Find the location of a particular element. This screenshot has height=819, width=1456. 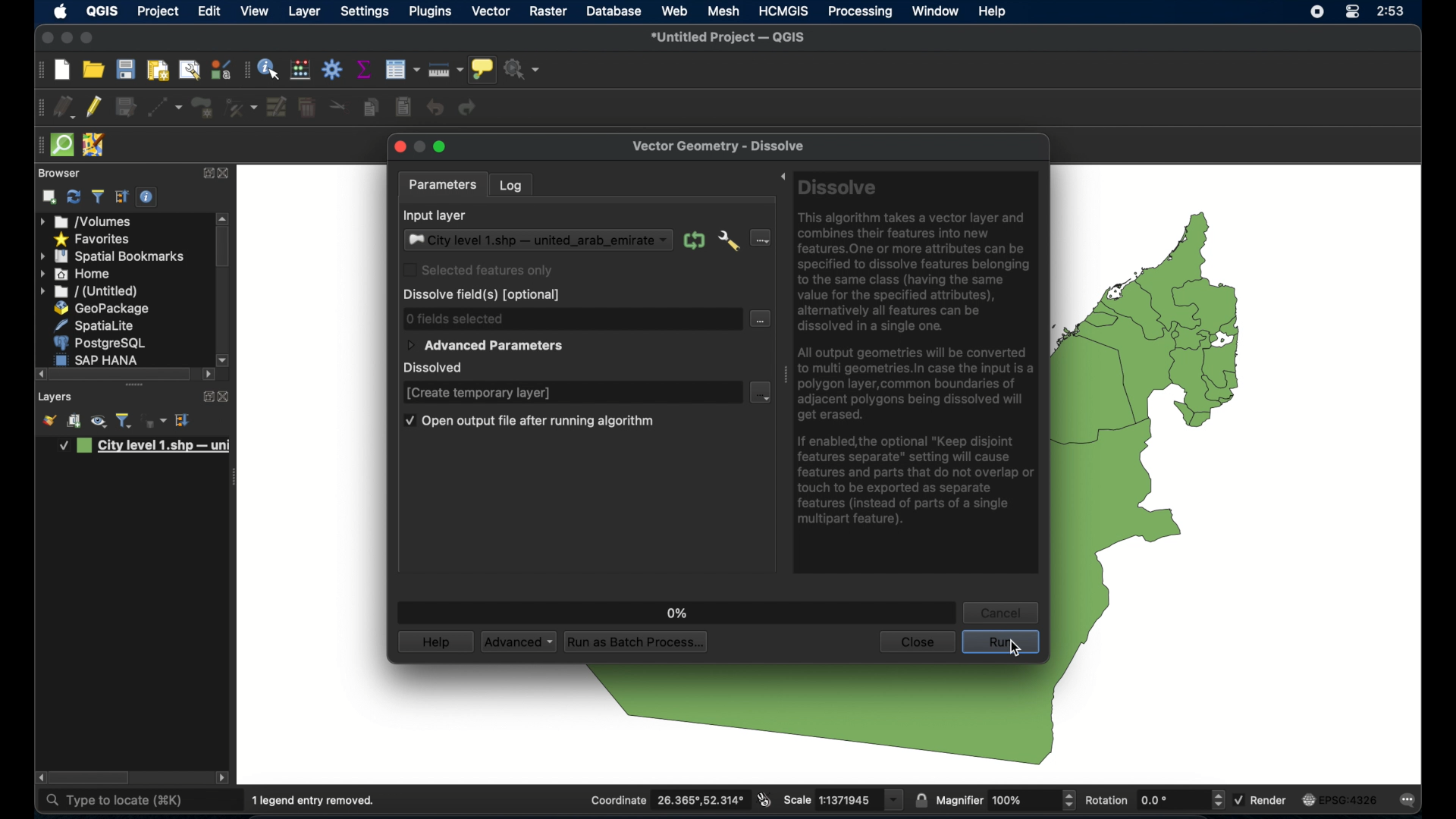

input layer dropdown menu is located at coordinates (538, 240).